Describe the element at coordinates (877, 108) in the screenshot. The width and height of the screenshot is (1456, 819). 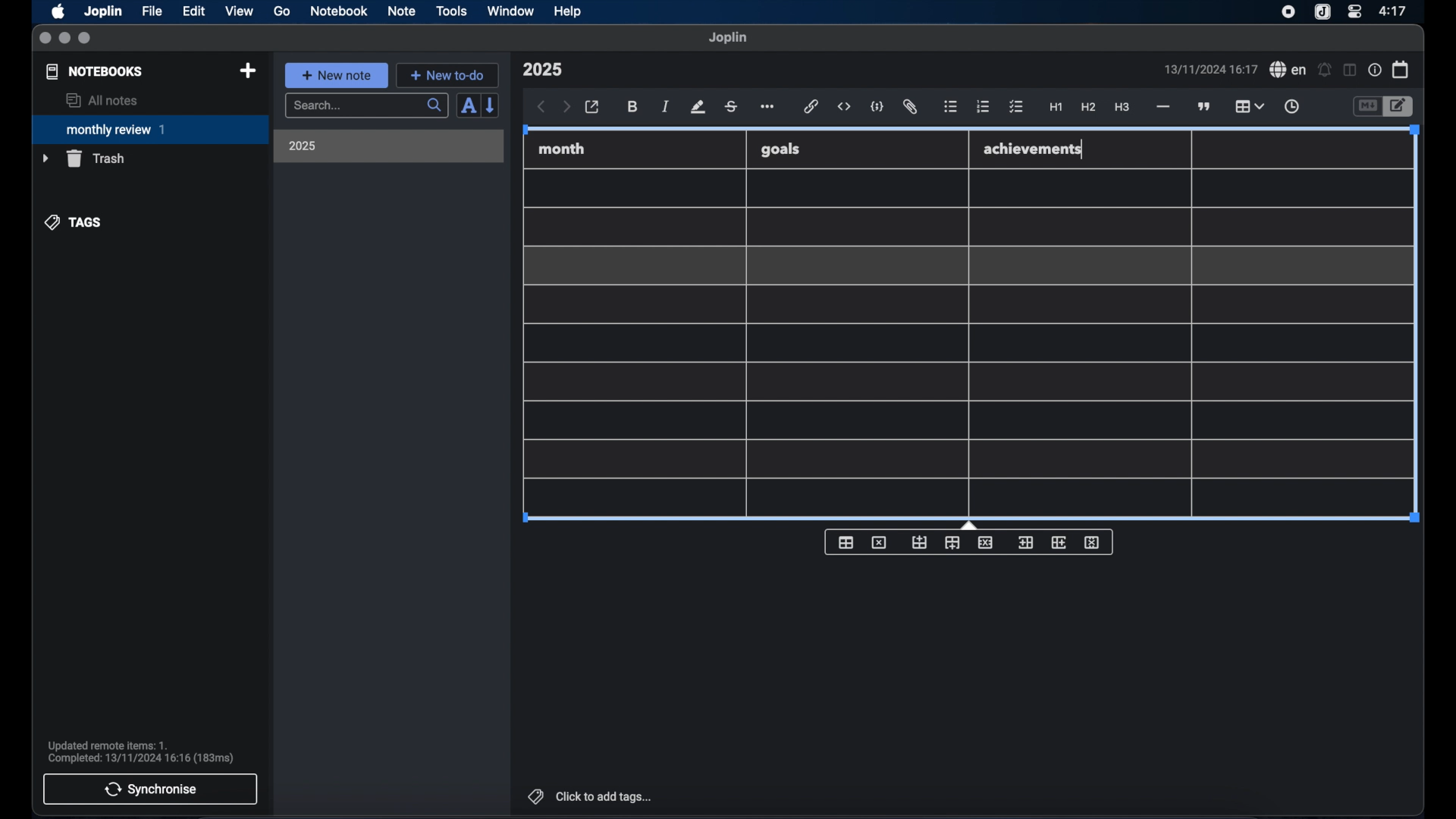
I see `code` at that location.